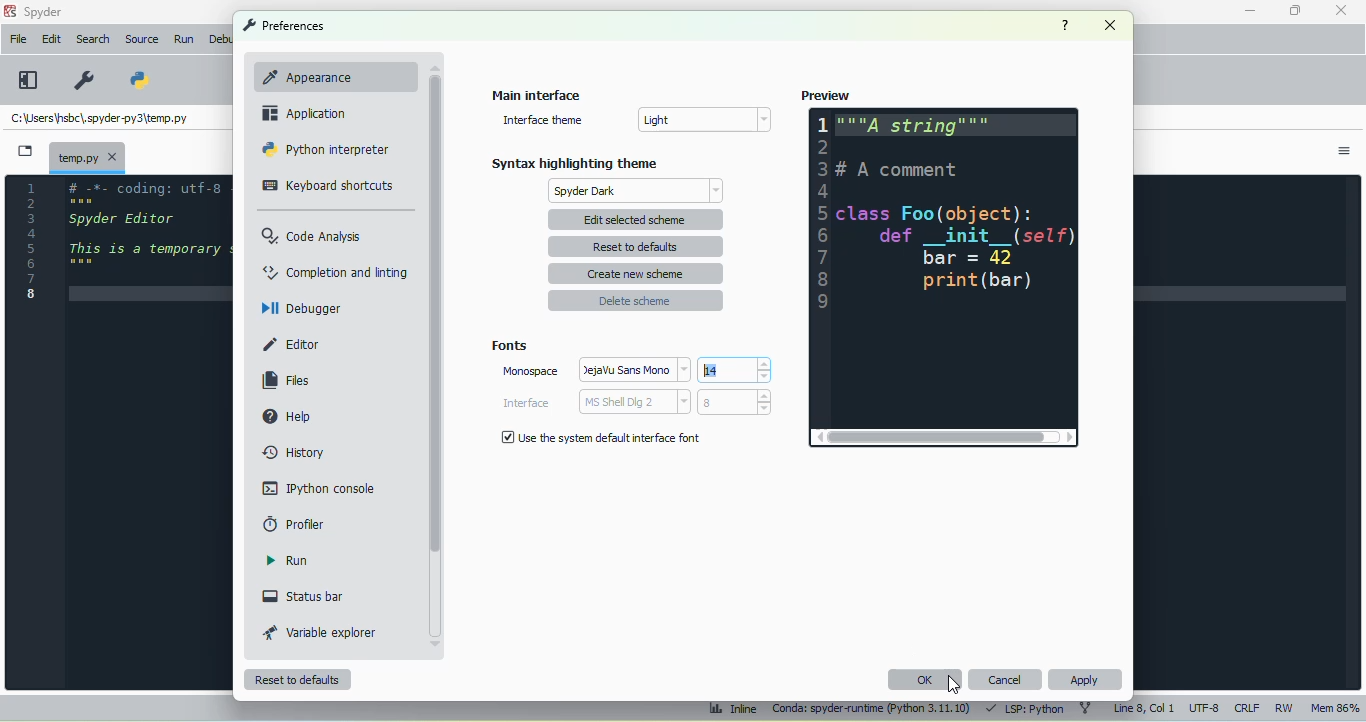  I want to click on UTF-8, so click(1205, 707).